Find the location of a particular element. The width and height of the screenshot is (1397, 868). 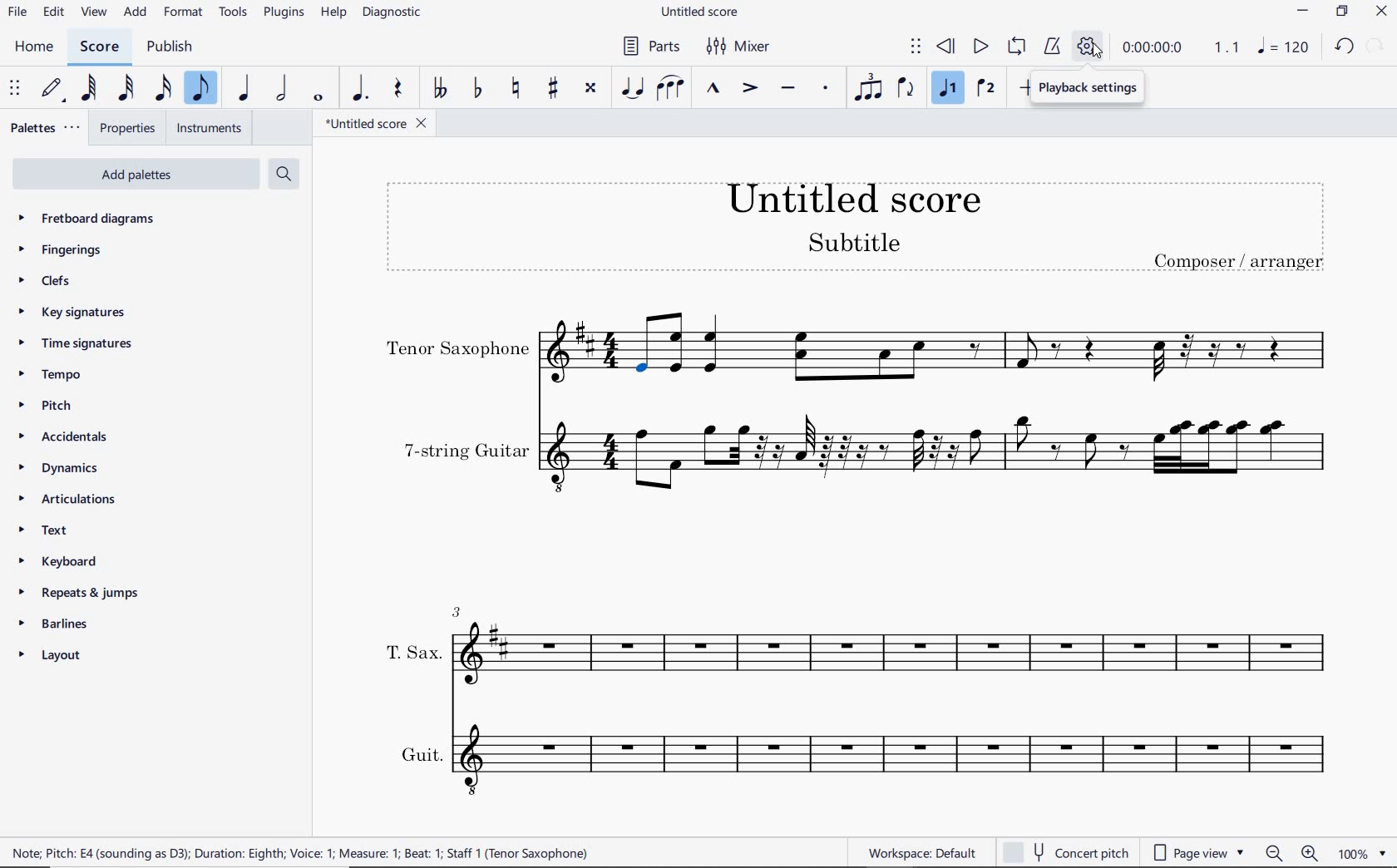

ACCIDENTALS is located at coordinates (60, 439).